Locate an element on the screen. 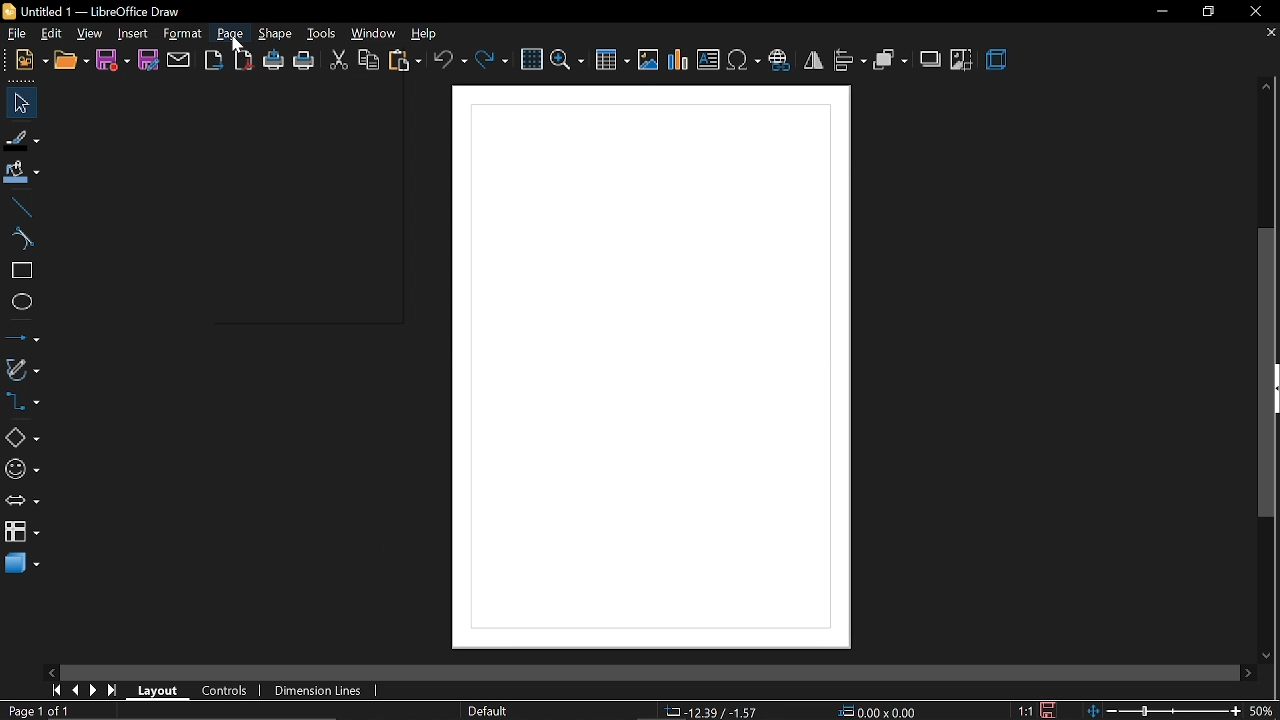  ellipse is located at coordinates (21, 304).